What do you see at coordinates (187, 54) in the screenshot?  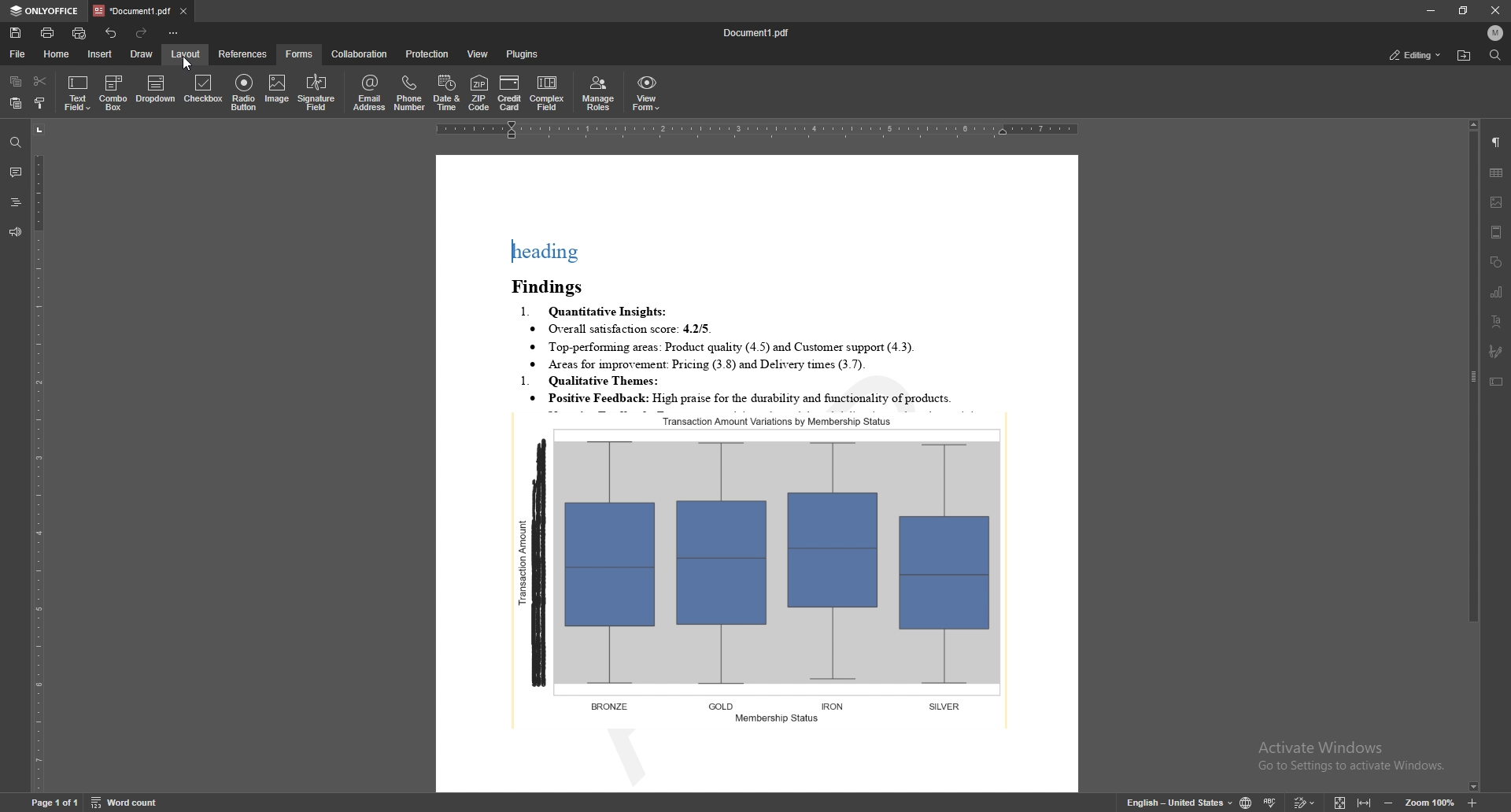 I see `layout` at bounding box center [187, 54].